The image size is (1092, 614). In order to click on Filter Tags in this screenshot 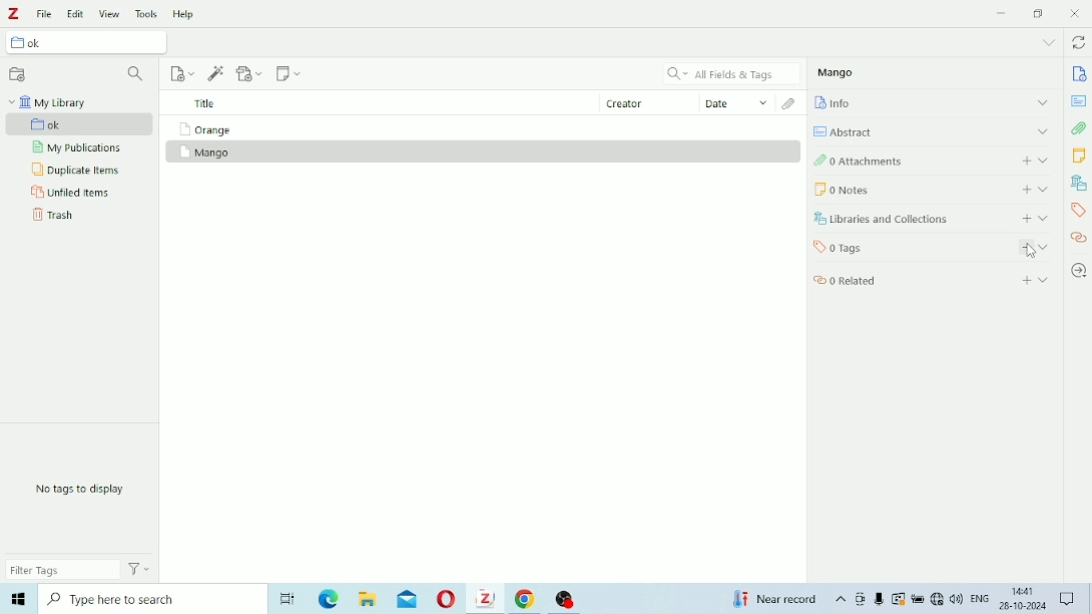, I will do `click(59, 570)`.